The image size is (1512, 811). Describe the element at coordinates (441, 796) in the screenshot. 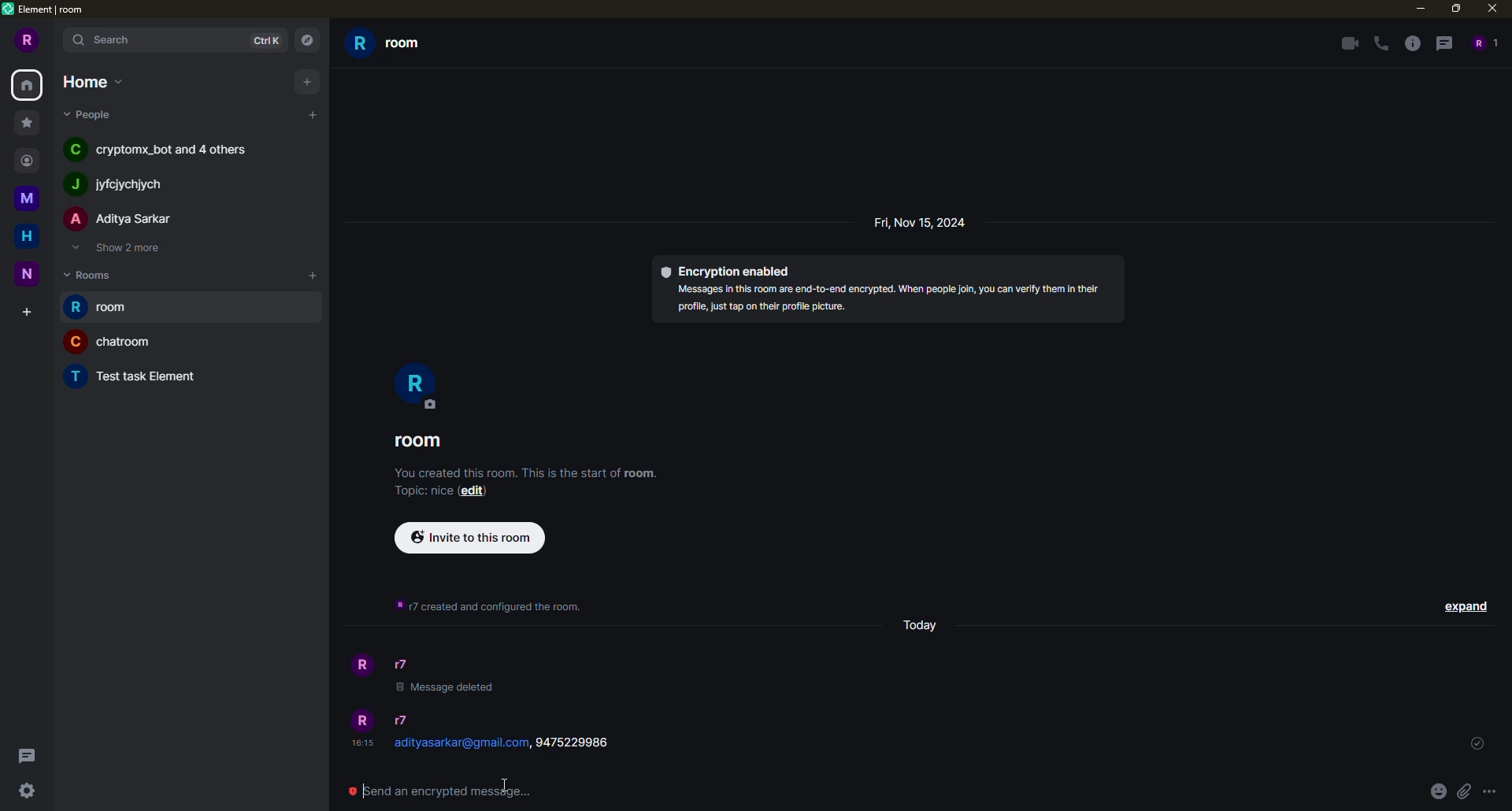

I see `Send an encrypted message` at that location.